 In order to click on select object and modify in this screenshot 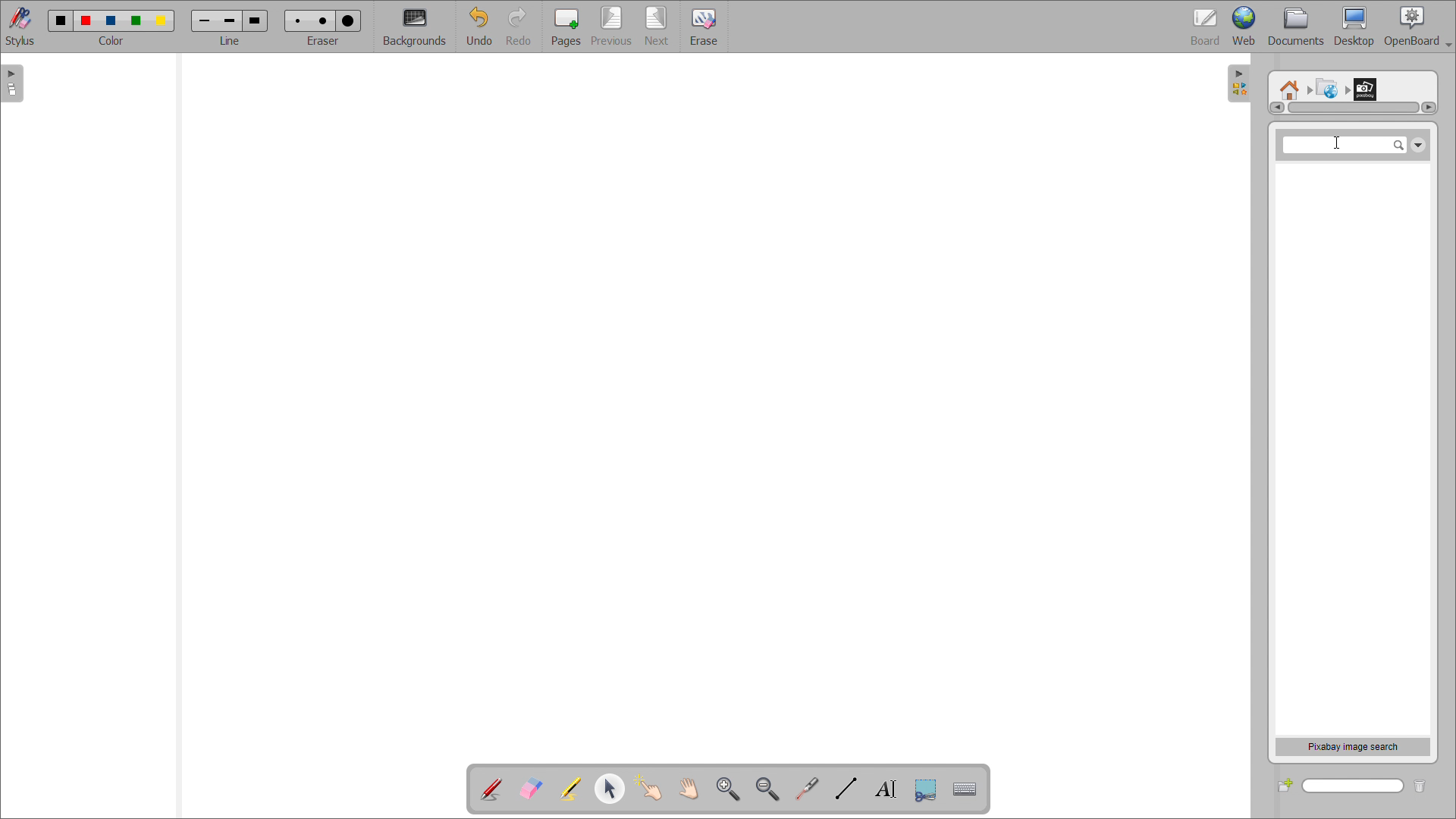, I will do `click(610, 788)`.